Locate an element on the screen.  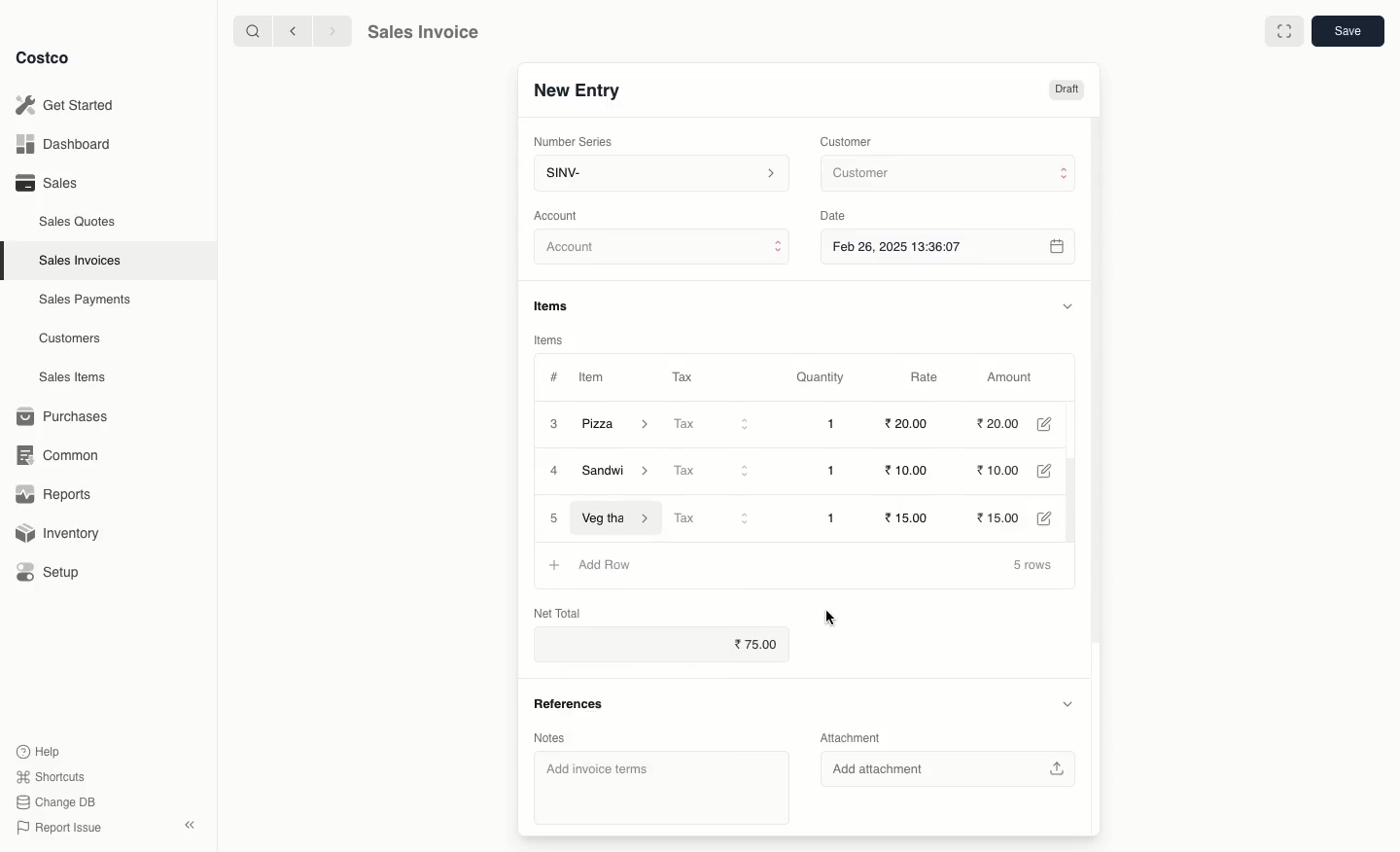
Dashboard is located at coordinates (60, 145).